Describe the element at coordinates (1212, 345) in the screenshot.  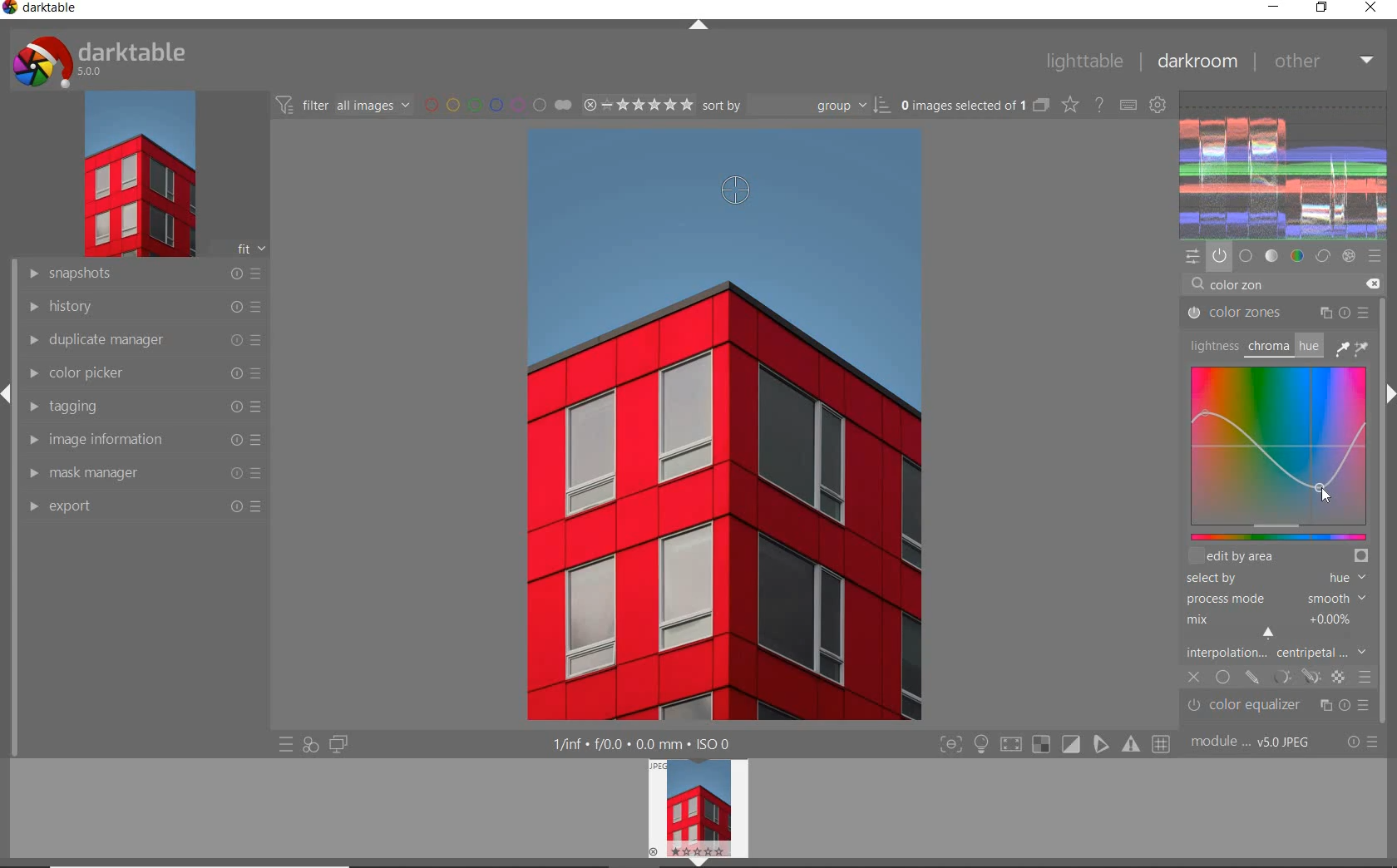
I see `LIGHTNESS` at that location.